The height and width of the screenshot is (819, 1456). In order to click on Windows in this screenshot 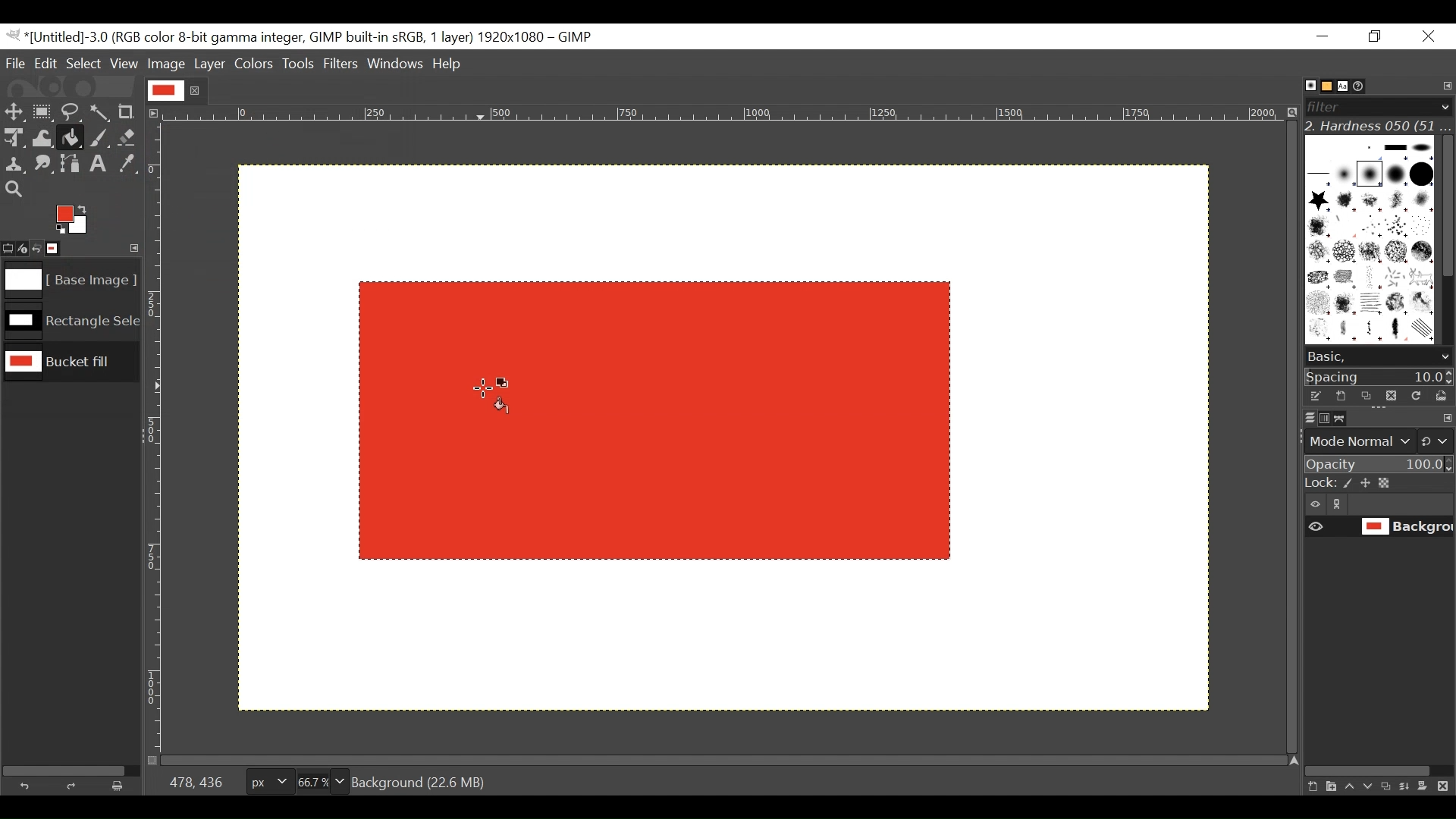, I will do `click(397, 65)`.